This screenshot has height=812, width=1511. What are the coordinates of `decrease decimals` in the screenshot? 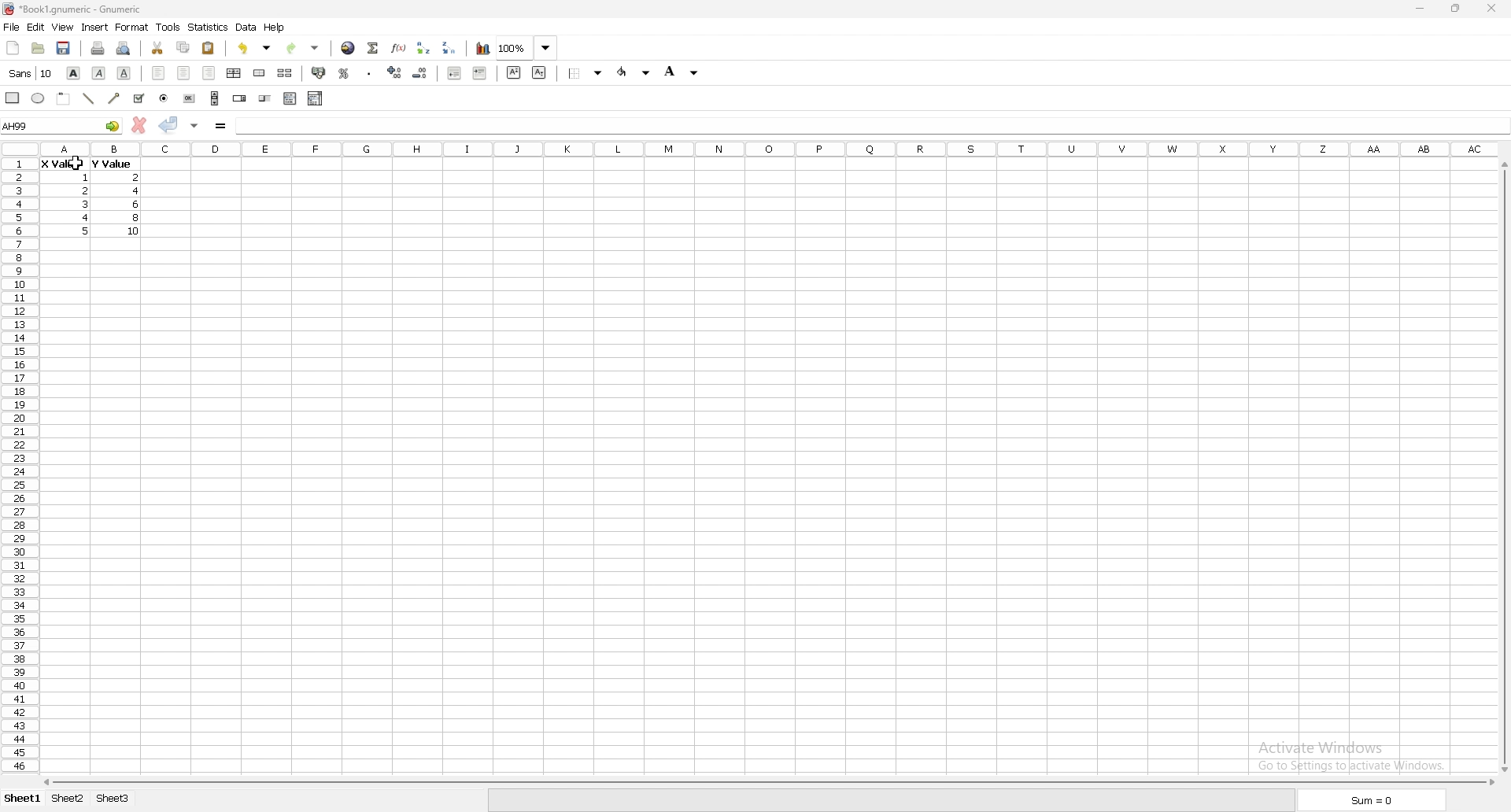 It's located at (420, 73).